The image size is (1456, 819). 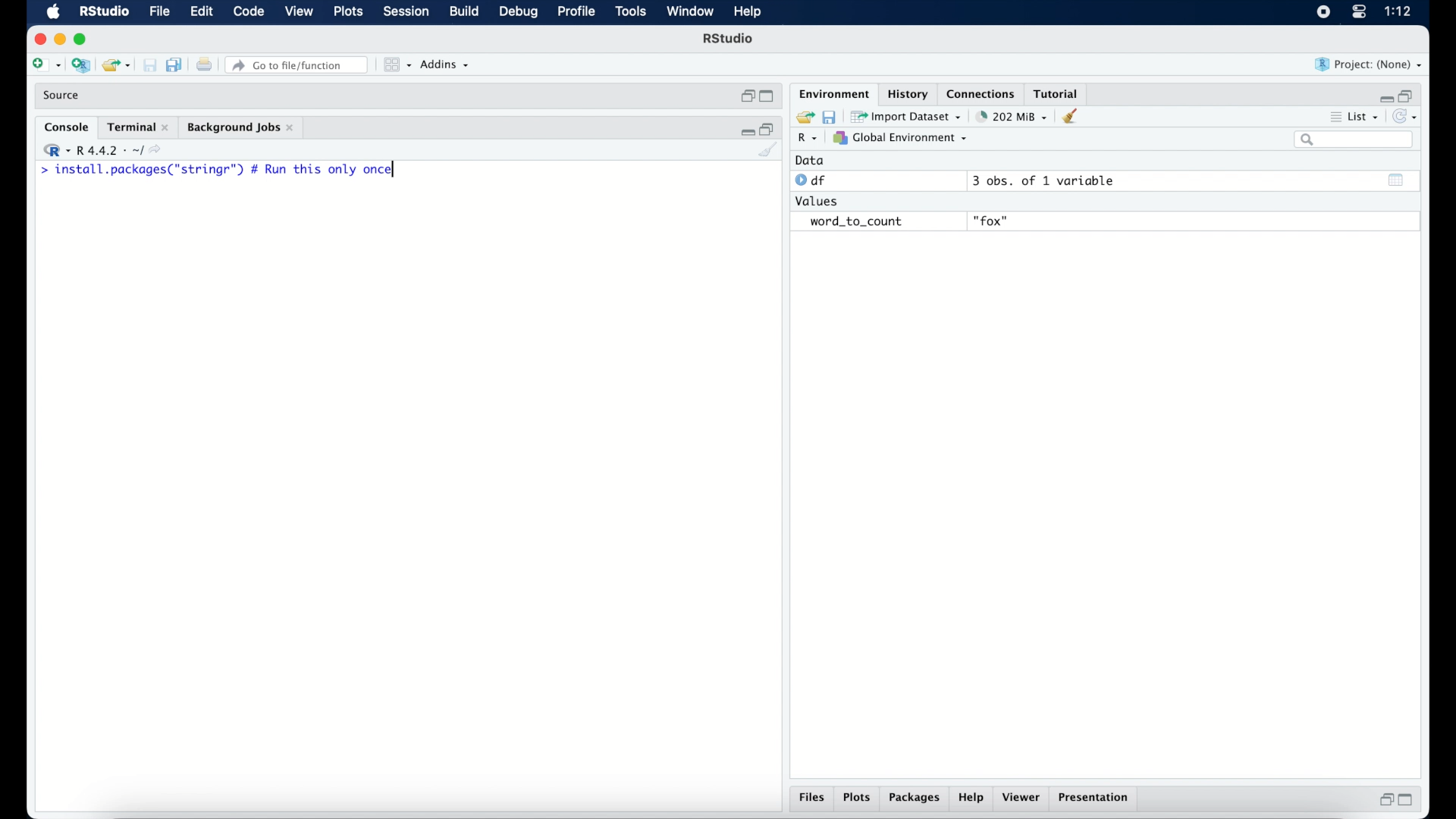 What do you see at coordinates (1384, 799) in the screenshot?
I see `restore down` at bounding box center [1384, 799].